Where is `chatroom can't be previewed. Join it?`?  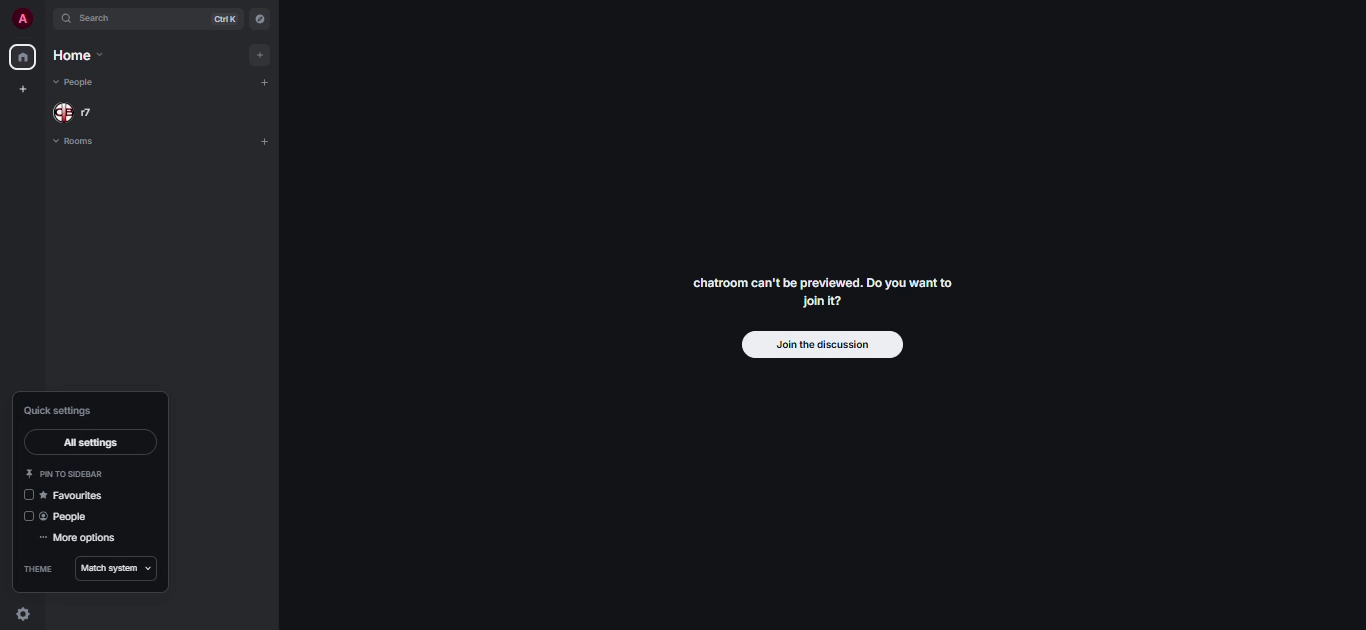
chatroom can't be previewed. Join it? is located at coordinates (822, 294).